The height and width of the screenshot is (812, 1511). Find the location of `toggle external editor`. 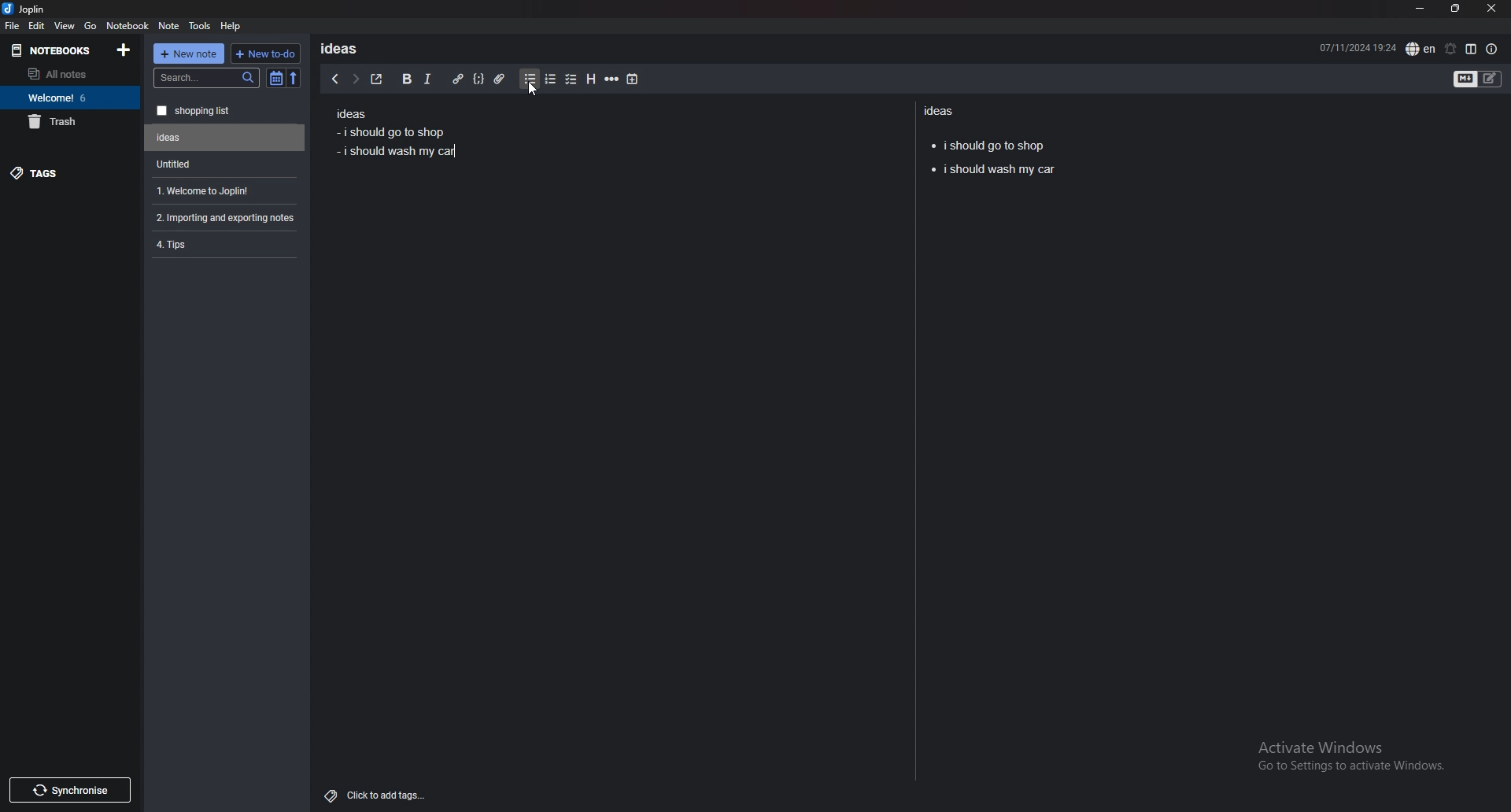

toggle external editor is located at coordinates (377, 79).